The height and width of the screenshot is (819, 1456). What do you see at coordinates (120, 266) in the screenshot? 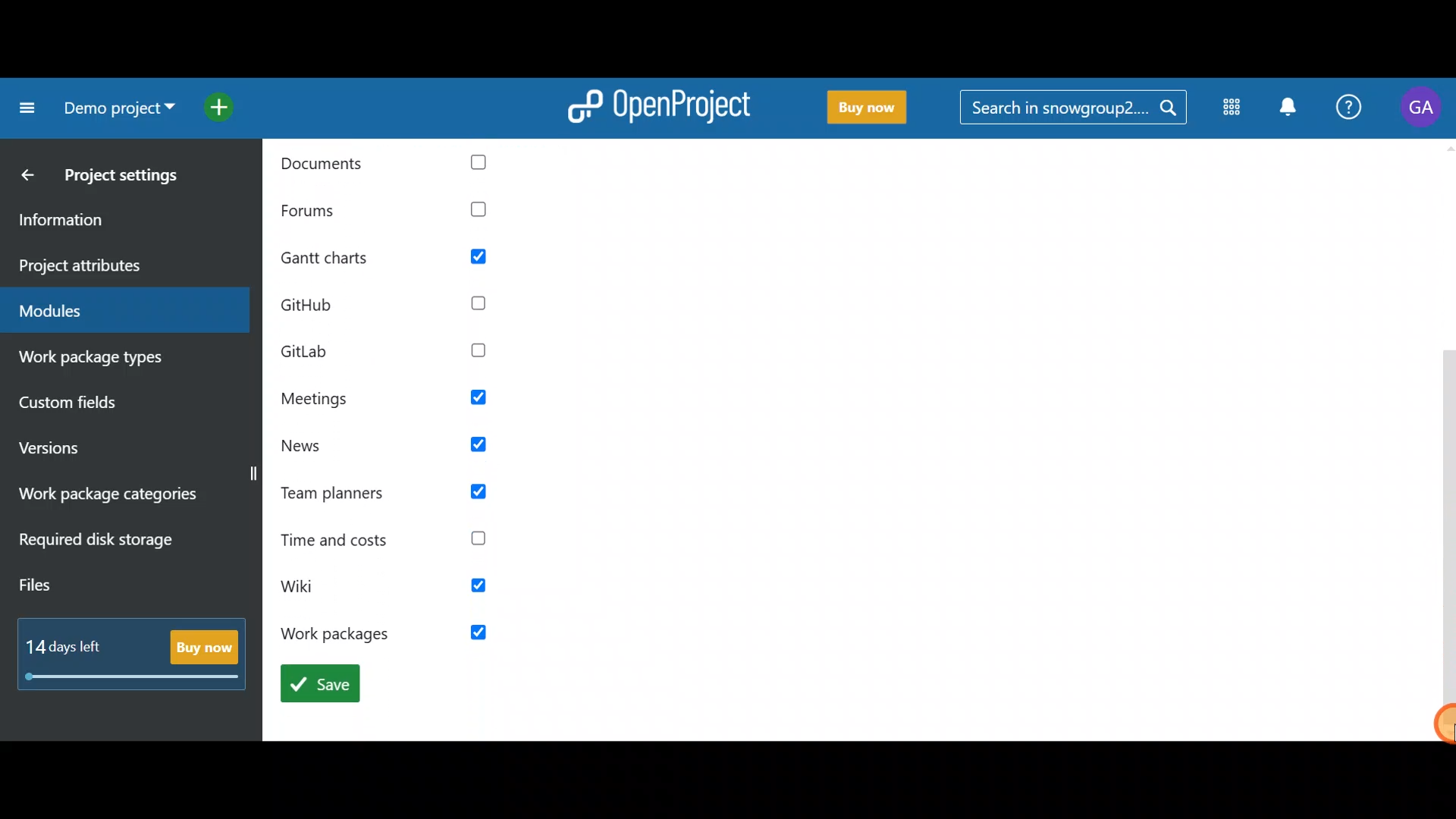
I see `Project attributes` at bounding box center [120, 266].